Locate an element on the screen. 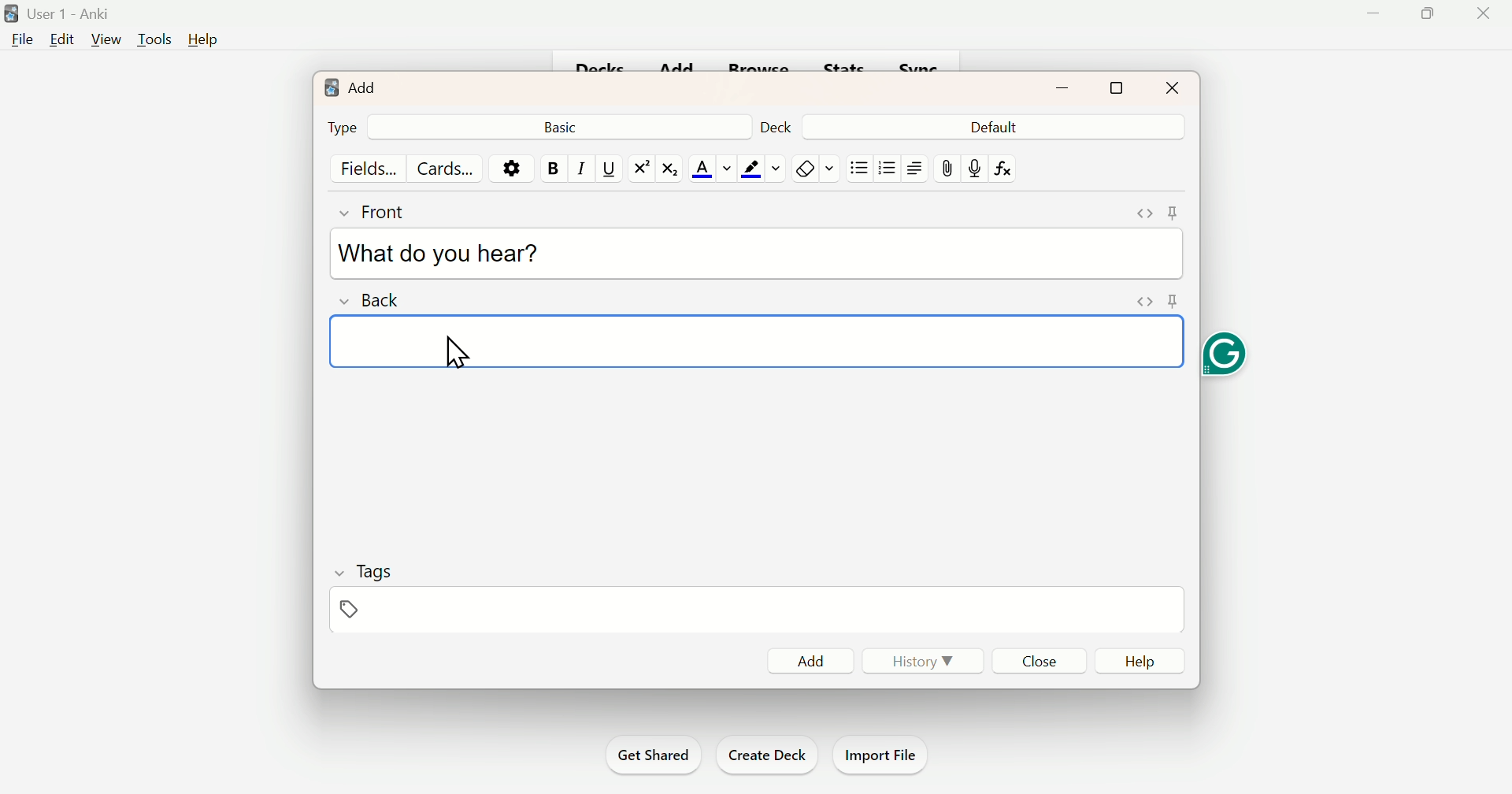  Grammarly is located at coordinates (1228, 356).